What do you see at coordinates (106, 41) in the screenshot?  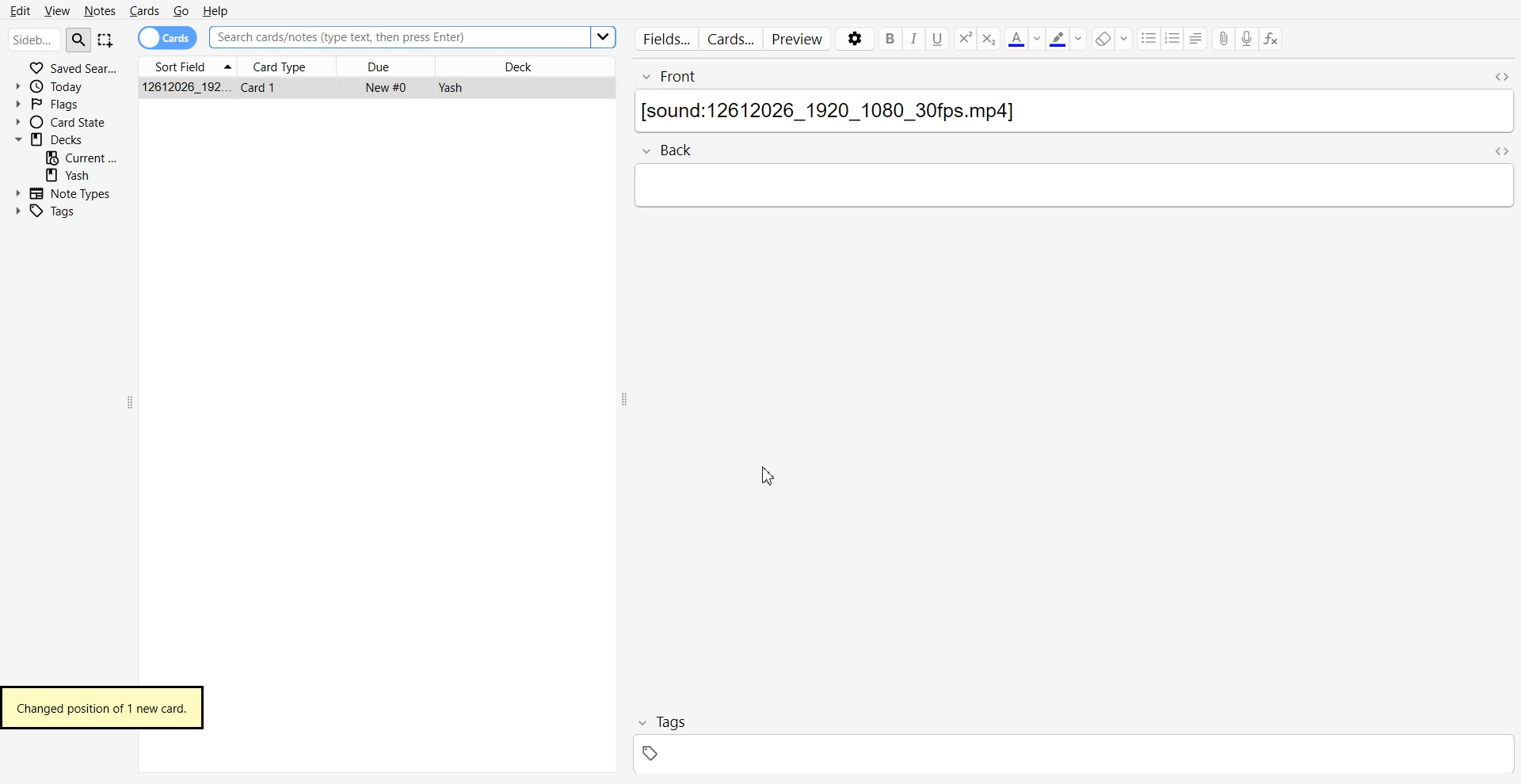 I see `Select` at bounding box center [106, 41].